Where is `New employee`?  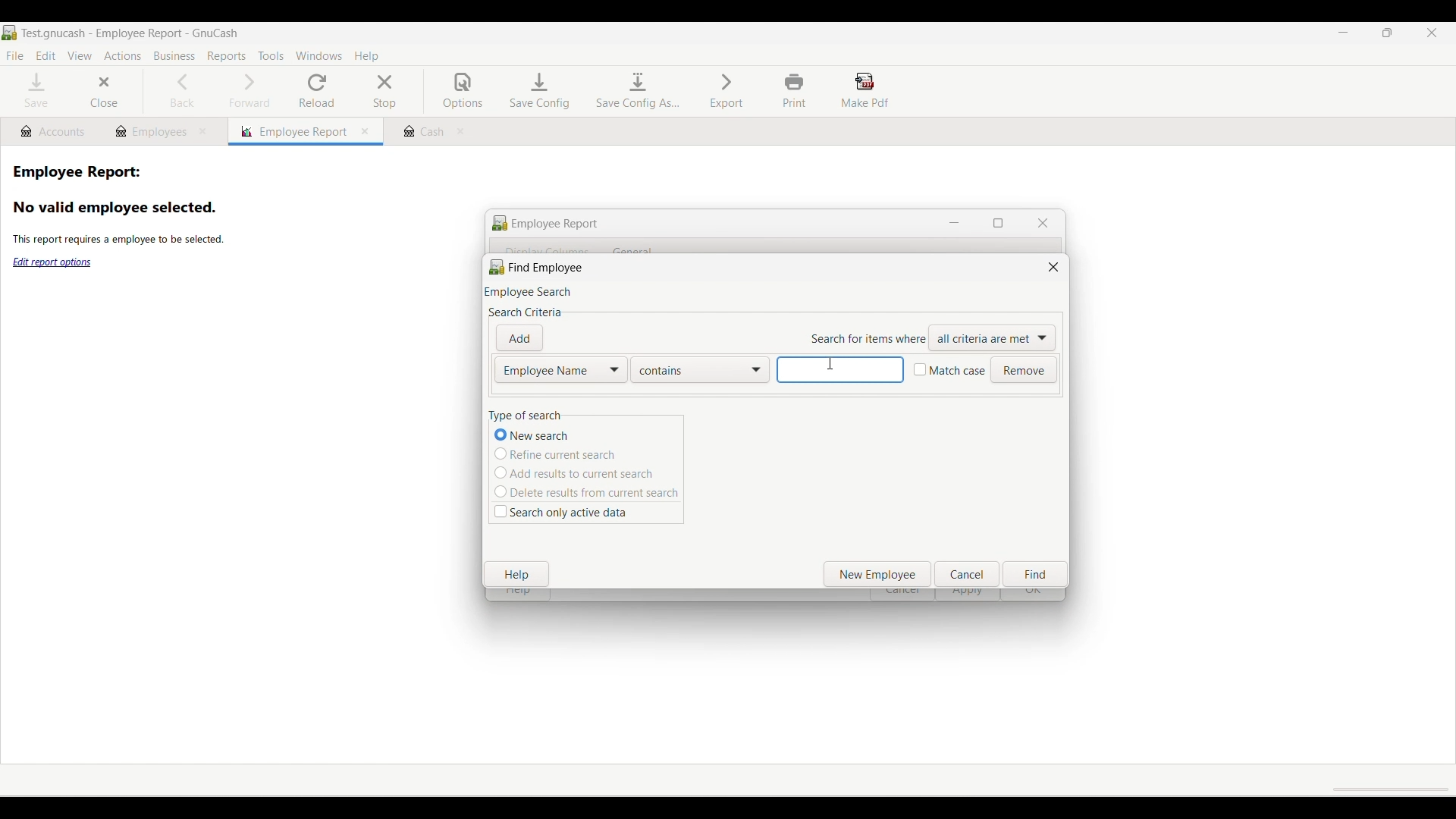
New employee is located at coordinates (878, 574).